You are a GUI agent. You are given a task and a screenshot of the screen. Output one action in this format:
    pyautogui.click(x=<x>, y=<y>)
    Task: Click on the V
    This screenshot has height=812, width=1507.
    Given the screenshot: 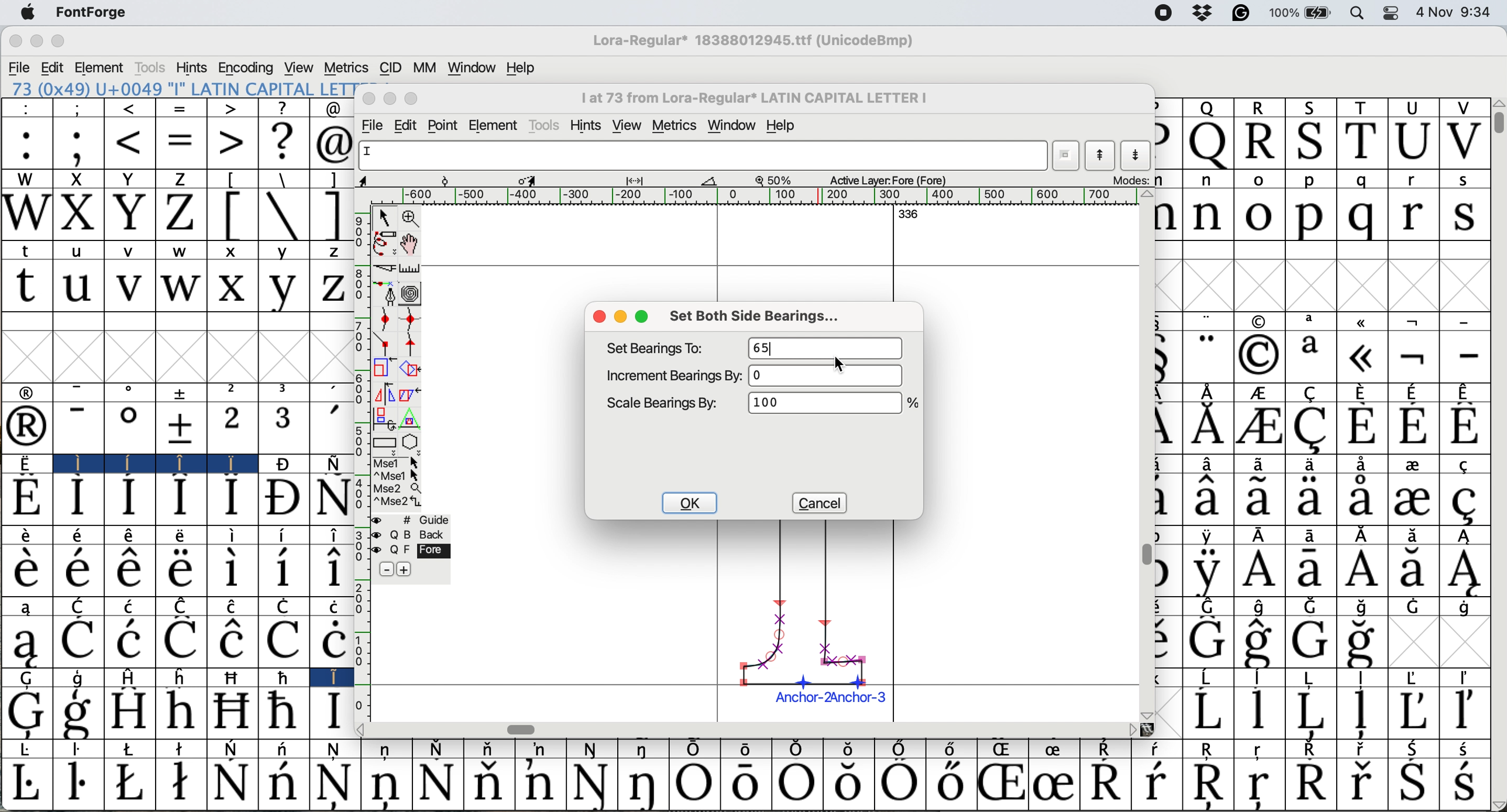 What is the action you would take?
    pyautogui.click(x=1464, y=142)
    